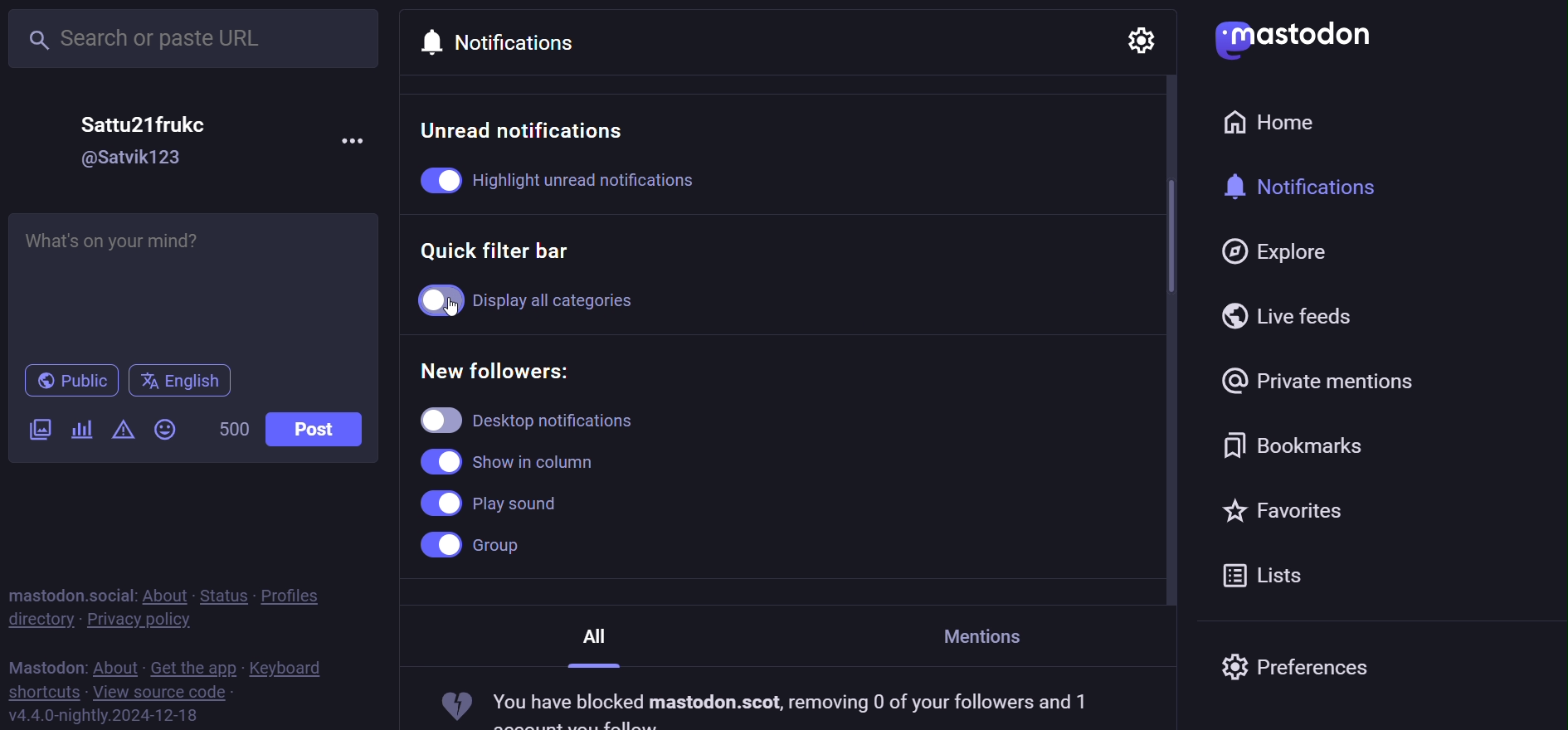 Image resolution: width=1568 pixels, height=730 pixels. I want to click on Sattu21frukc, so click(144, 123).